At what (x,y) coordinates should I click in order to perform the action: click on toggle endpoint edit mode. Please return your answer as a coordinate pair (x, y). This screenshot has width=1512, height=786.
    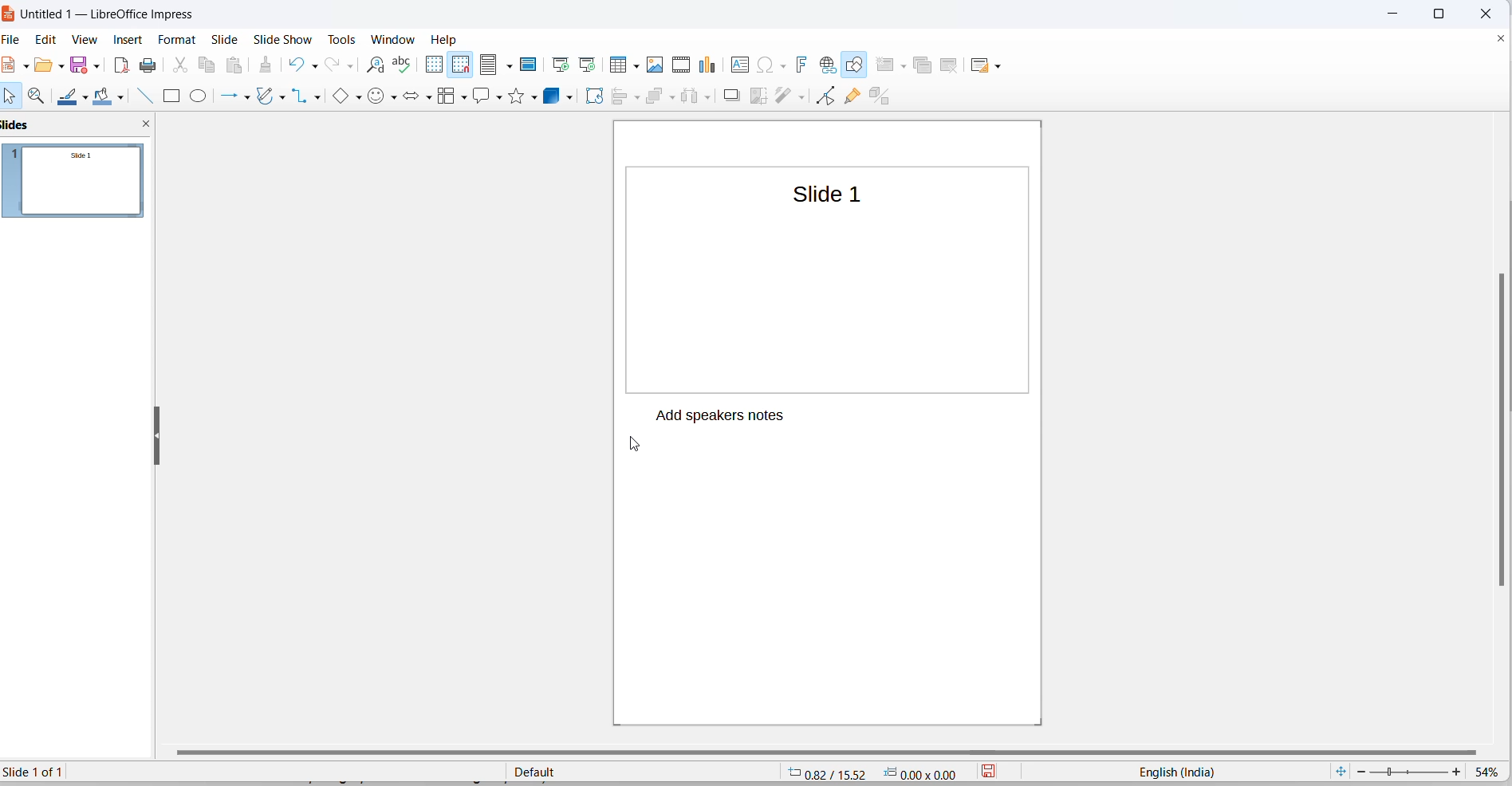
    Looking at the image, I should click on (826, 97).